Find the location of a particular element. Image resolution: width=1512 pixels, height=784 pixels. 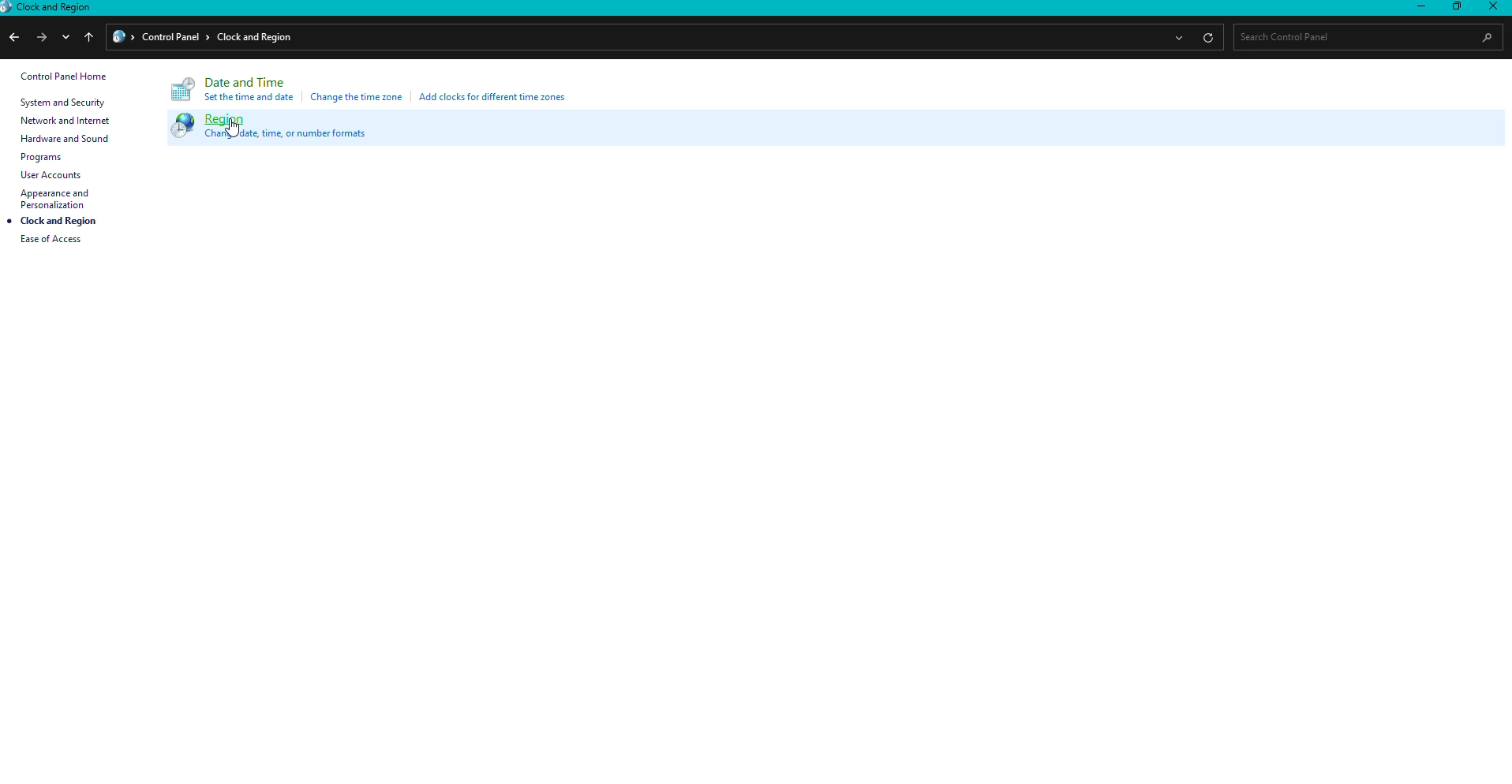

System and security is located at coordinates (65, 102).